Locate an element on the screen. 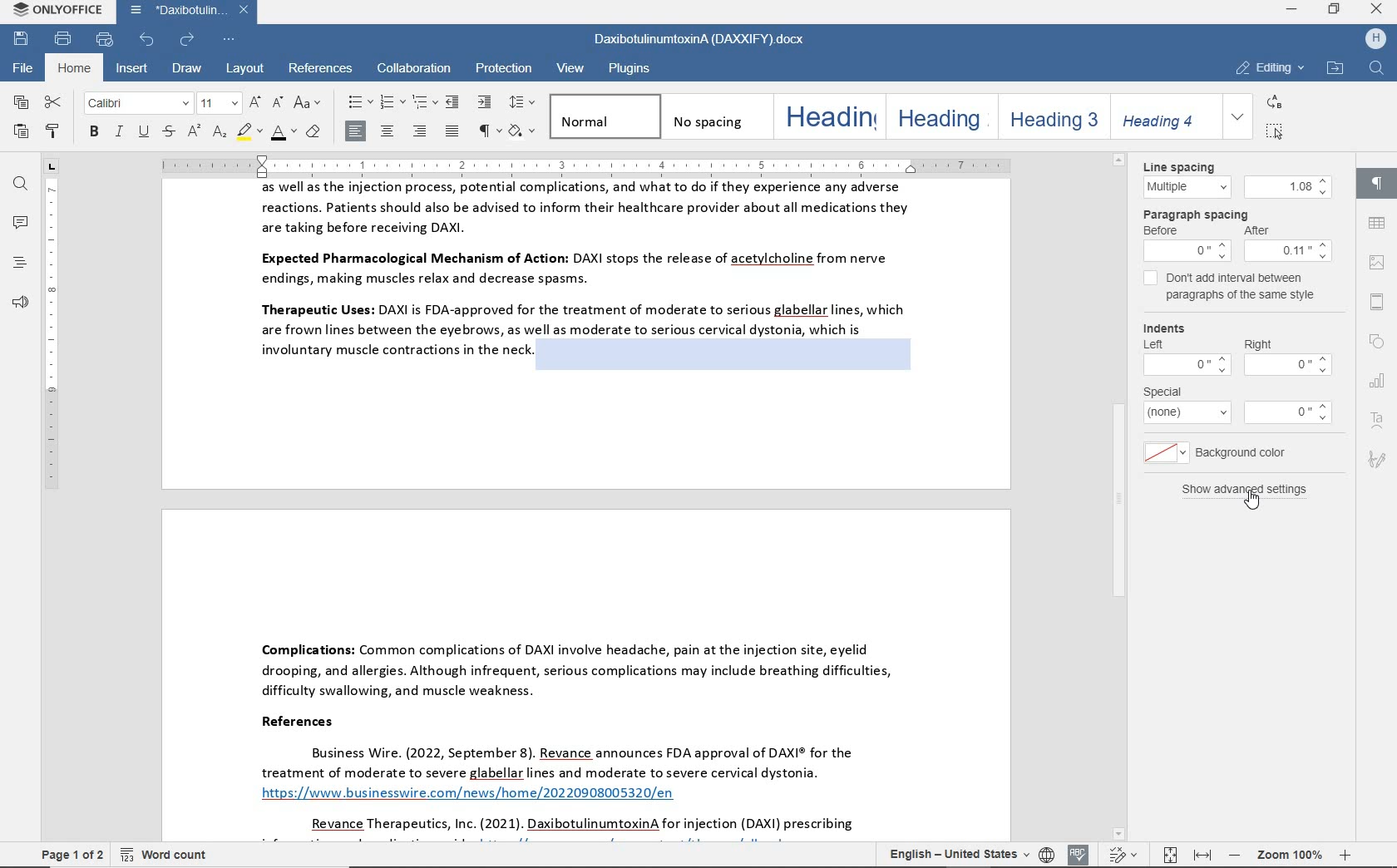 The width and height of the screenshot is (1397, 868). copy style is located at coordinates (55, 133).